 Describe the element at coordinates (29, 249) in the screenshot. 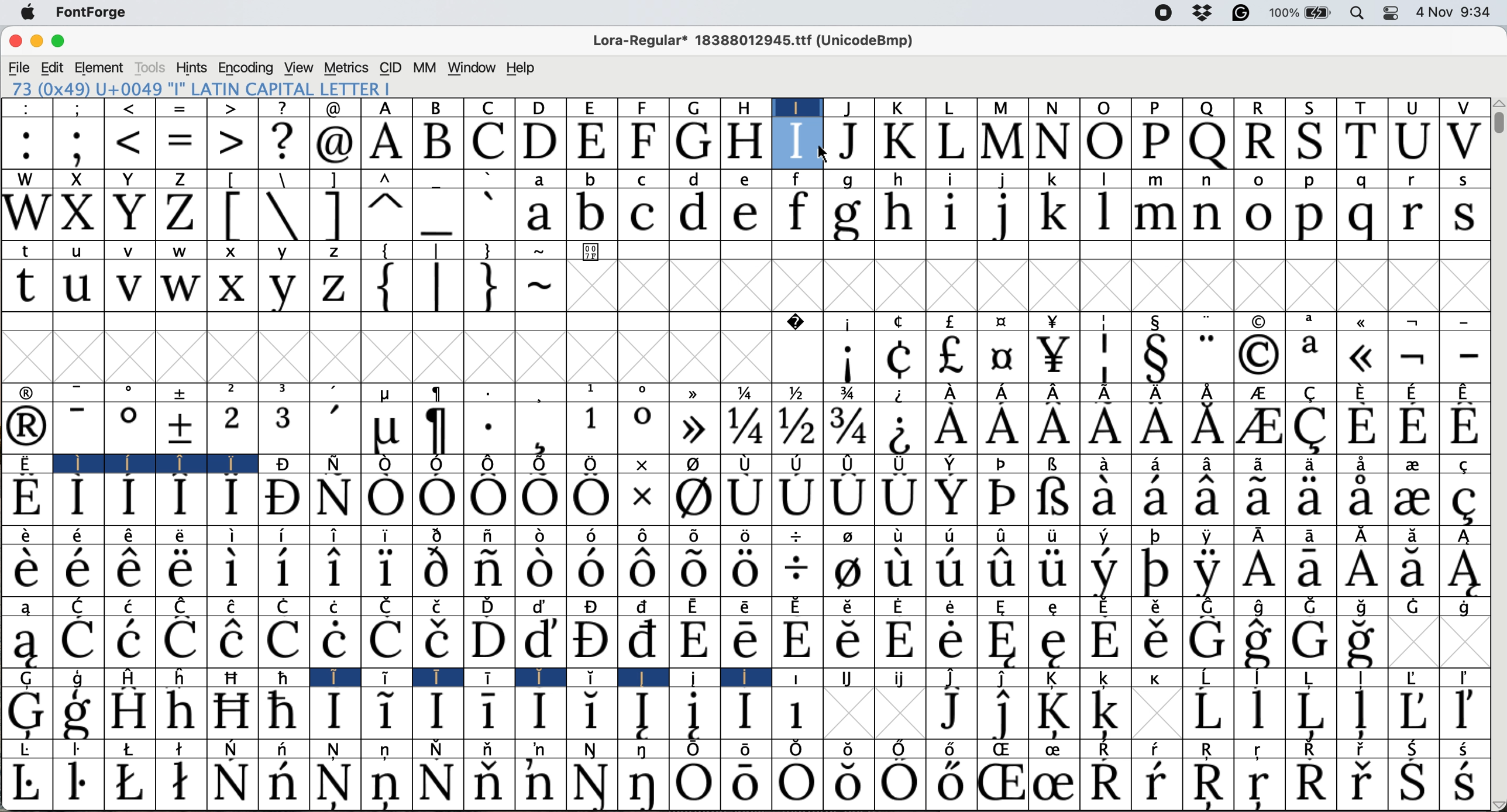

I see `t` at that location.